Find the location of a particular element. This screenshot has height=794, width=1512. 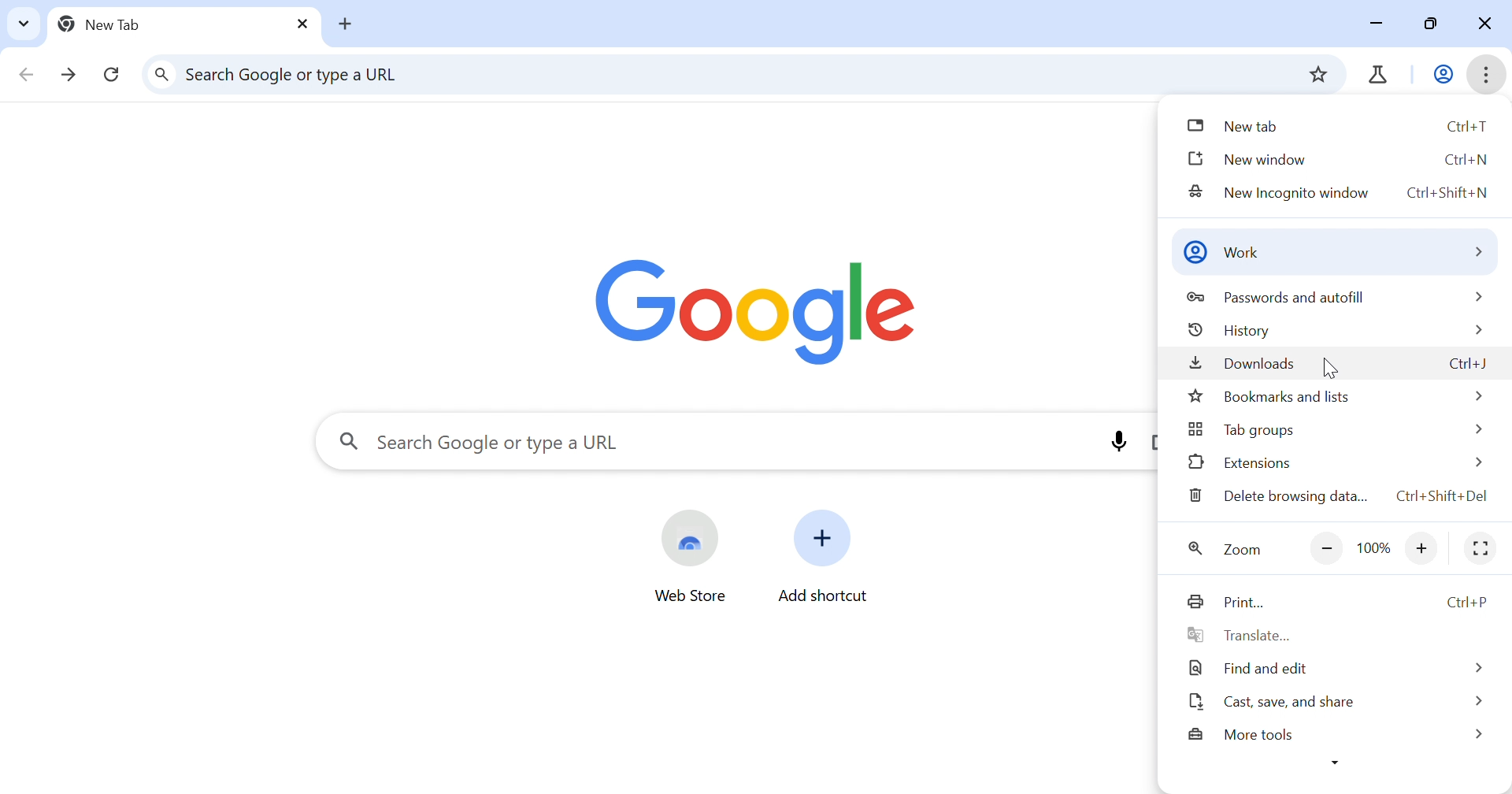

Passwords and autofill is located at coordinates (1283, 298).